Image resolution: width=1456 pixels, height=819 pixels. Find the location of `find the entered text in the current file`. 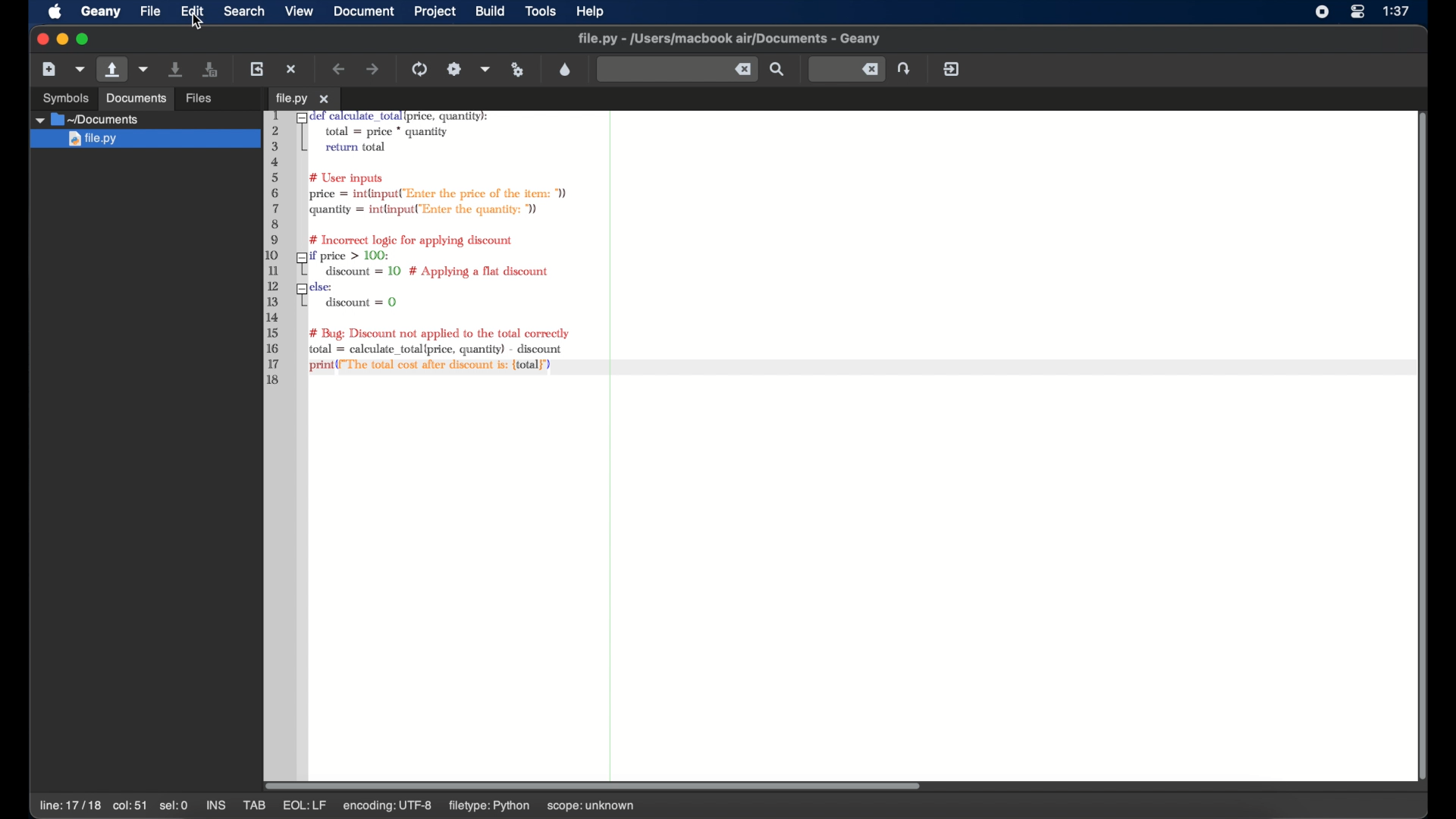

find the entered text in the current file is located at coordinates (778, 70).